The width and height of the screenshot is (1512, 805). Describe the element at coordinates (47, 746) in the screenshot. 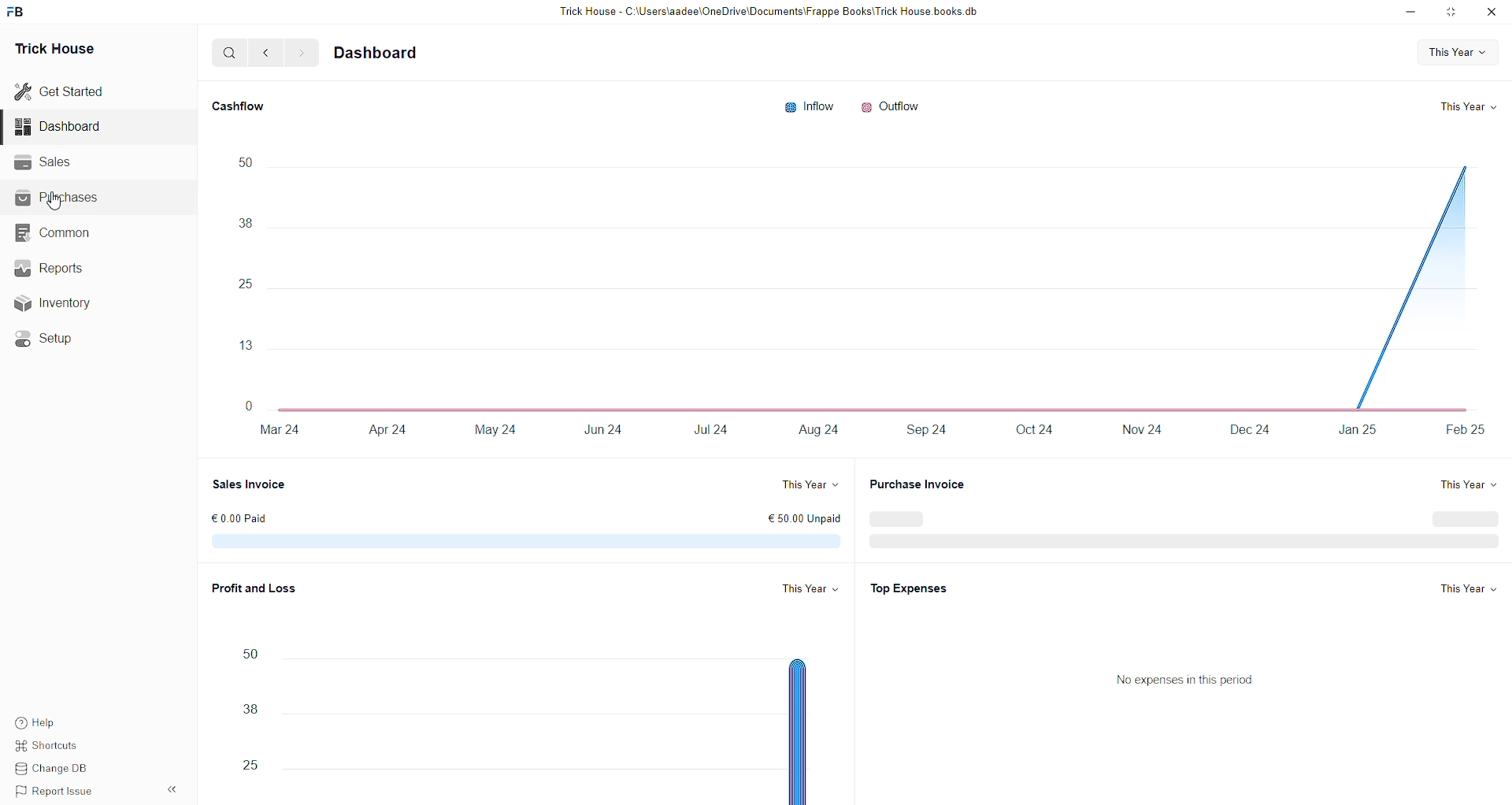

I see `Shortcuts` at that location.